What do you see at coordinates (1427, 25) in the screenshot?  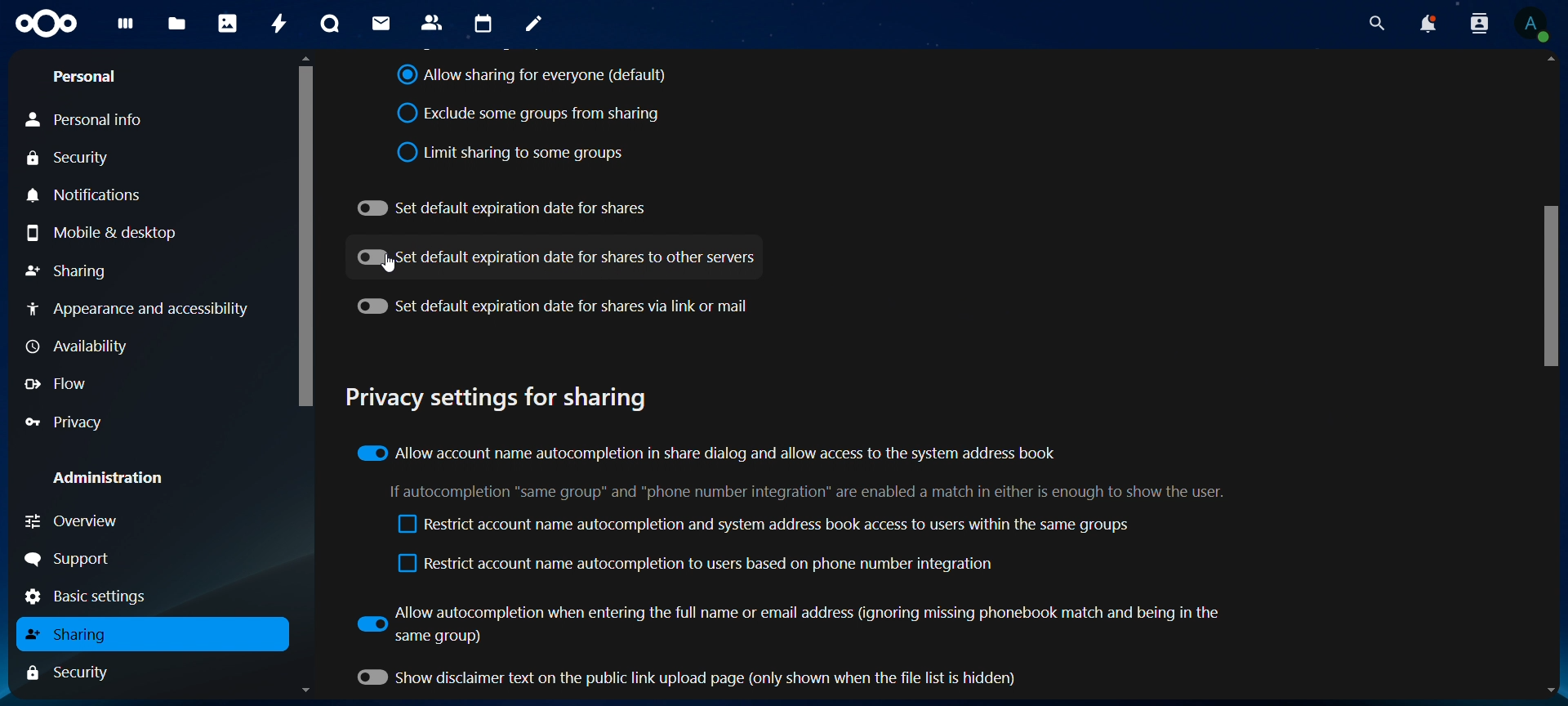 I see `notifications` at bounding box center [1427, 25].